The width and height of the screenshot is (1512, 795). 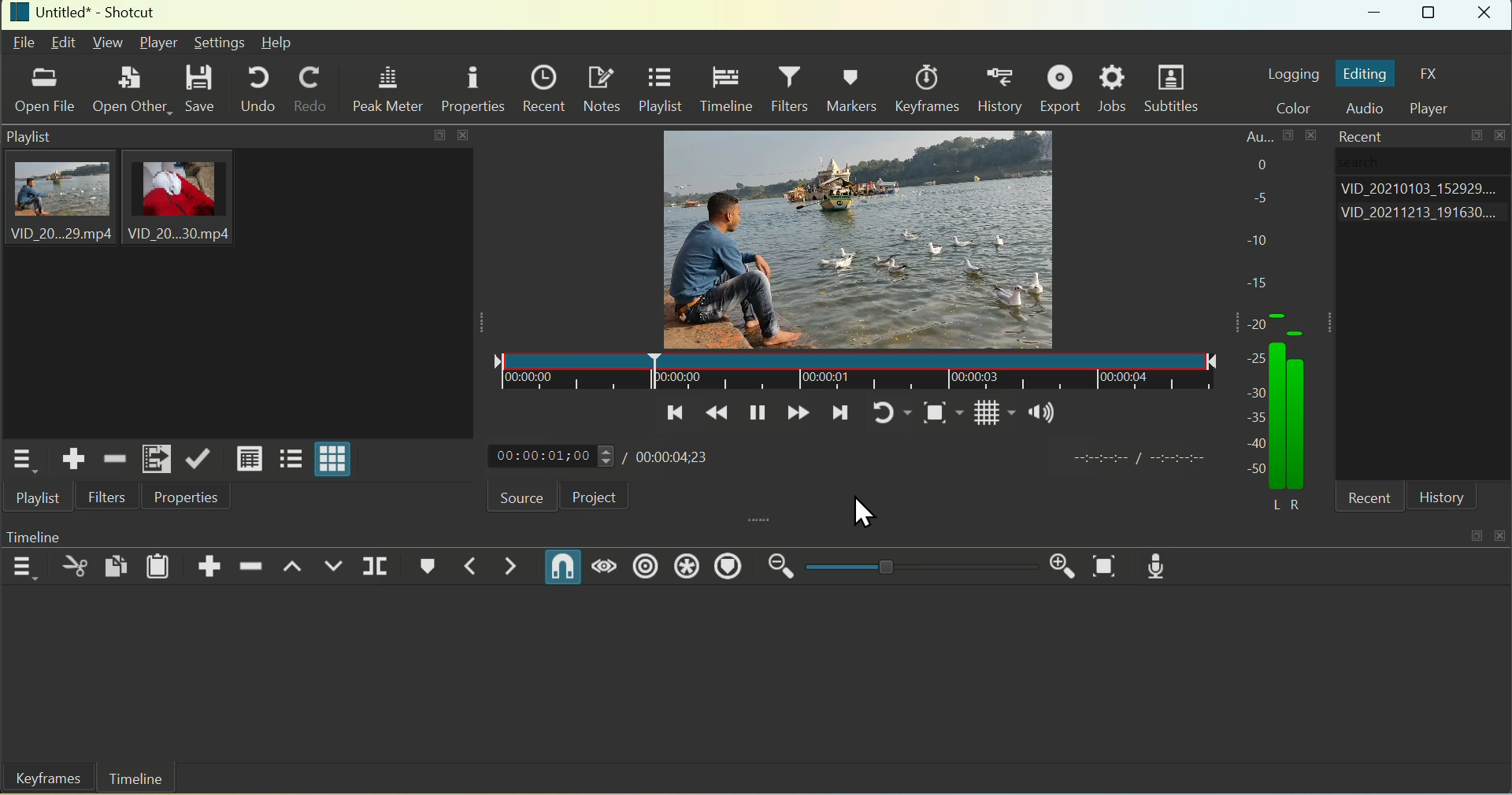 What do you see at coordinates (510, 496) in the screenshot?
I see `Source` at bounding box center [510, 496].